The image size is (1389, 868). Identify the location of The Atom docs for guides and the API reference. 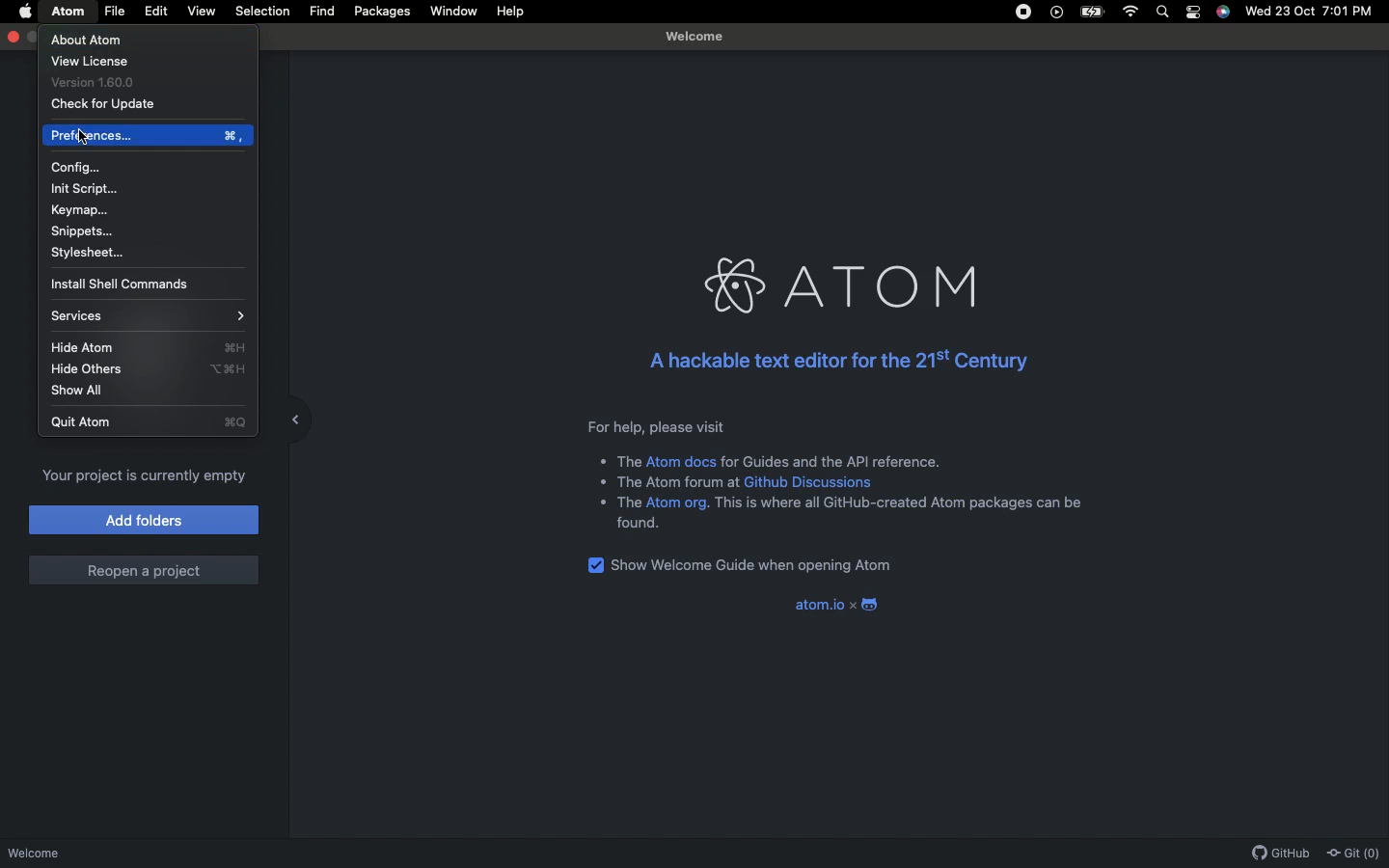
(772, 463).